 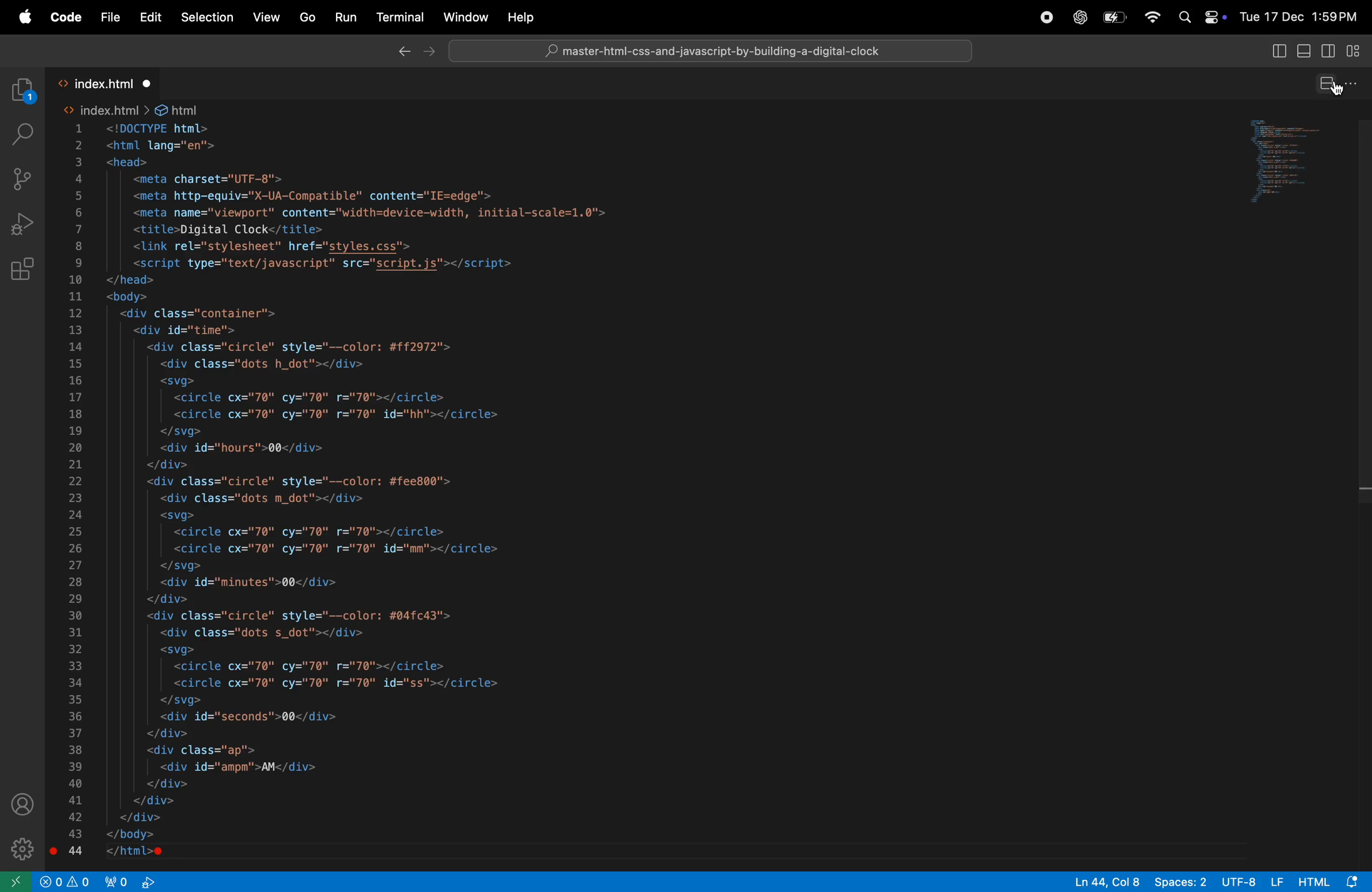 I want to click on toggle primary panel, so click(x=1304, y=52).